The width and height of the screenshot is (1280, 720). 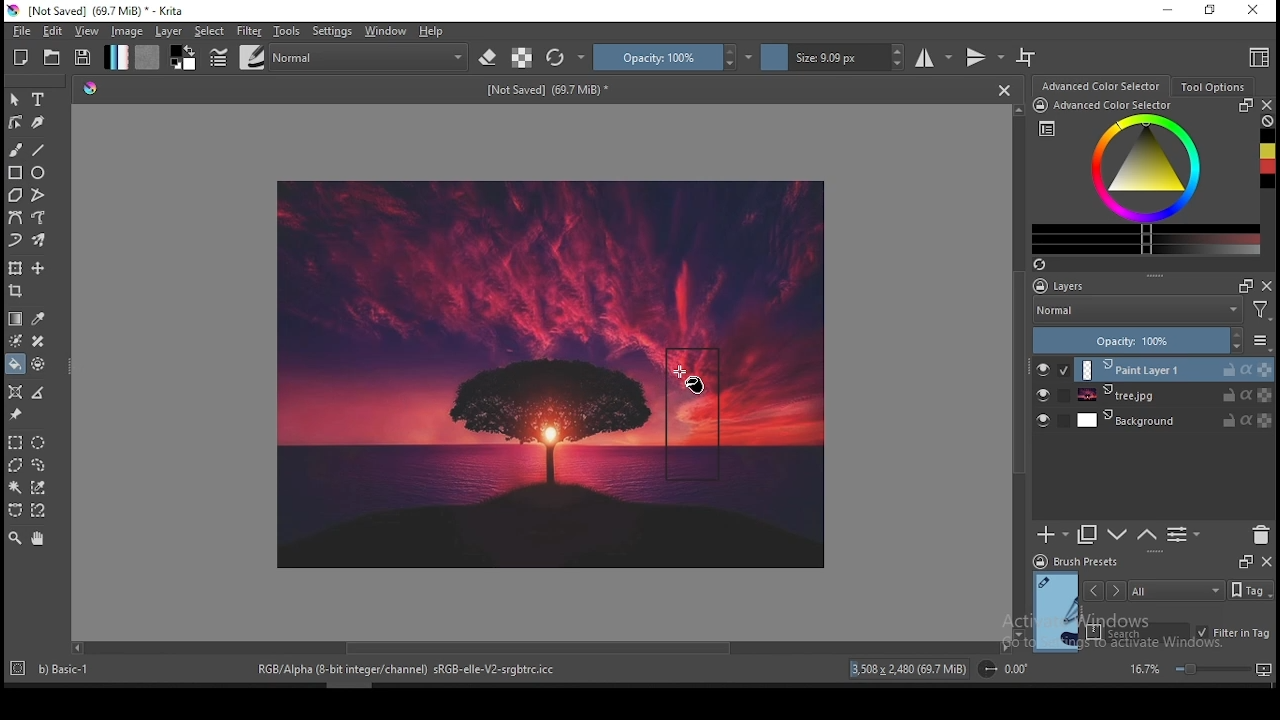 I want to click on gradient fill, so click(x=117, y=57).